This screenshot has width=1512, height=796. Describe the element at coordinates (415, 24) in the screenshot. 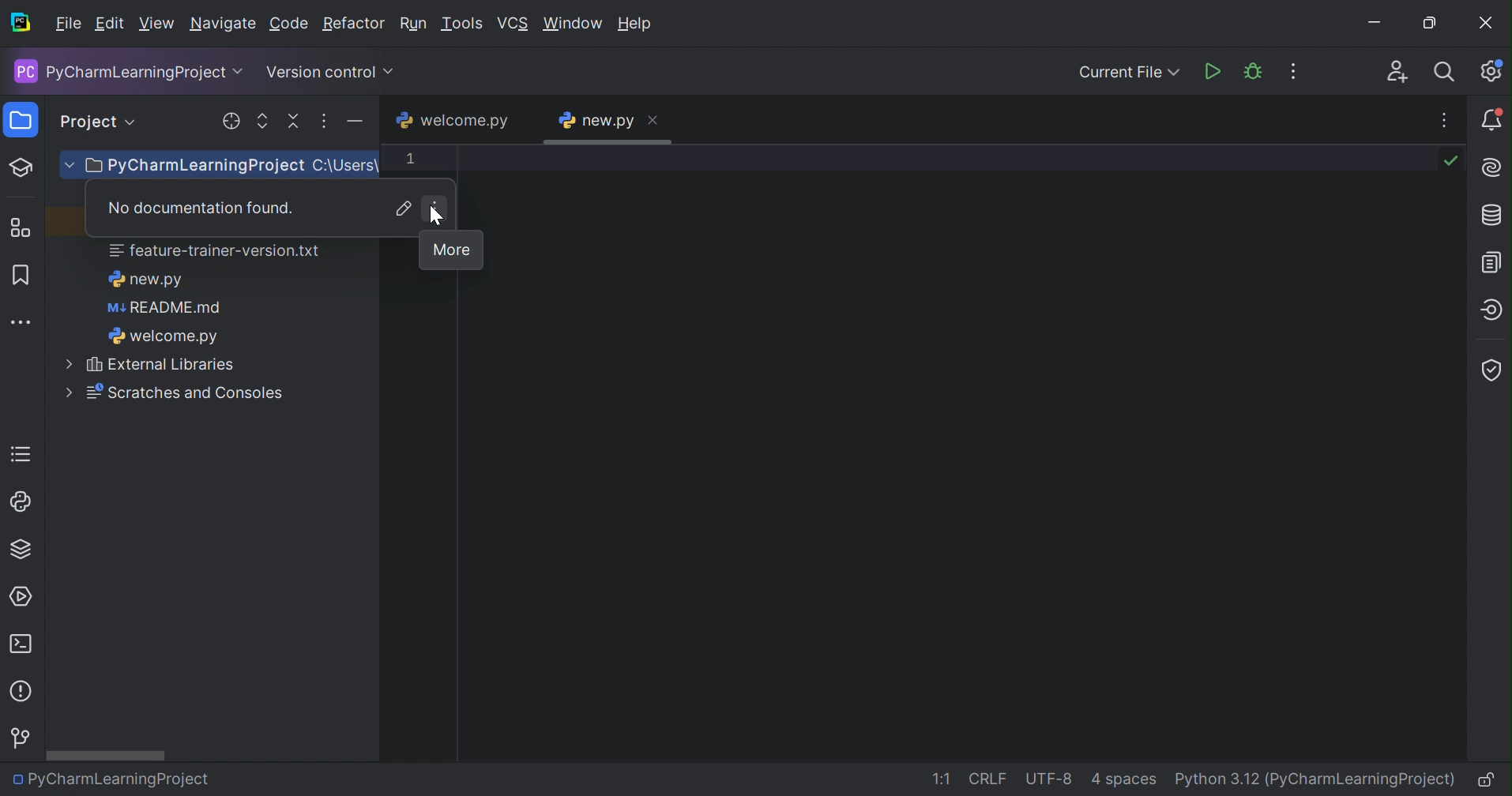

I see `Run` at that location.